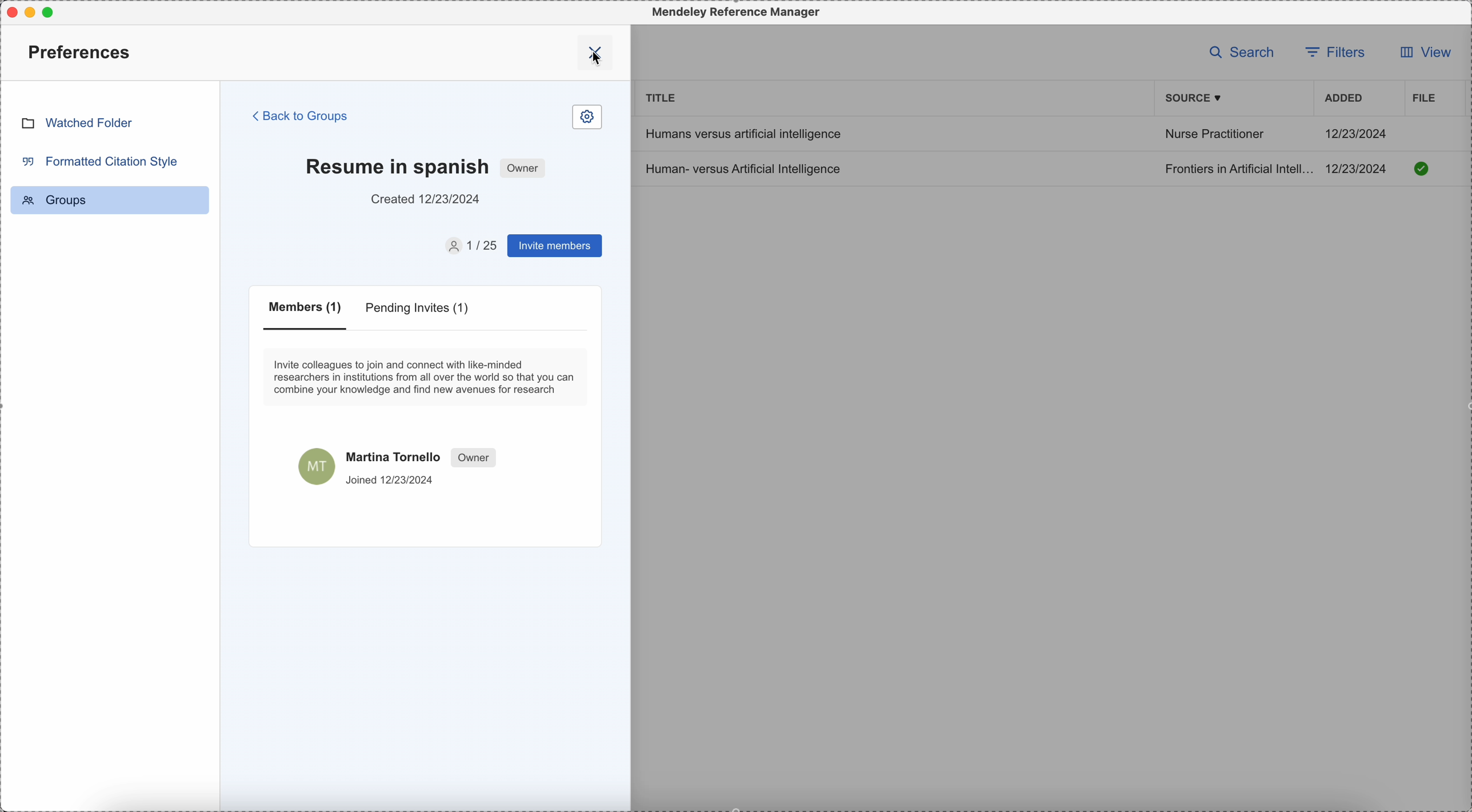  What do you see at coordinates (1344, 99) in the screenshot?
I see `added` at bounding box center [1344, 99].